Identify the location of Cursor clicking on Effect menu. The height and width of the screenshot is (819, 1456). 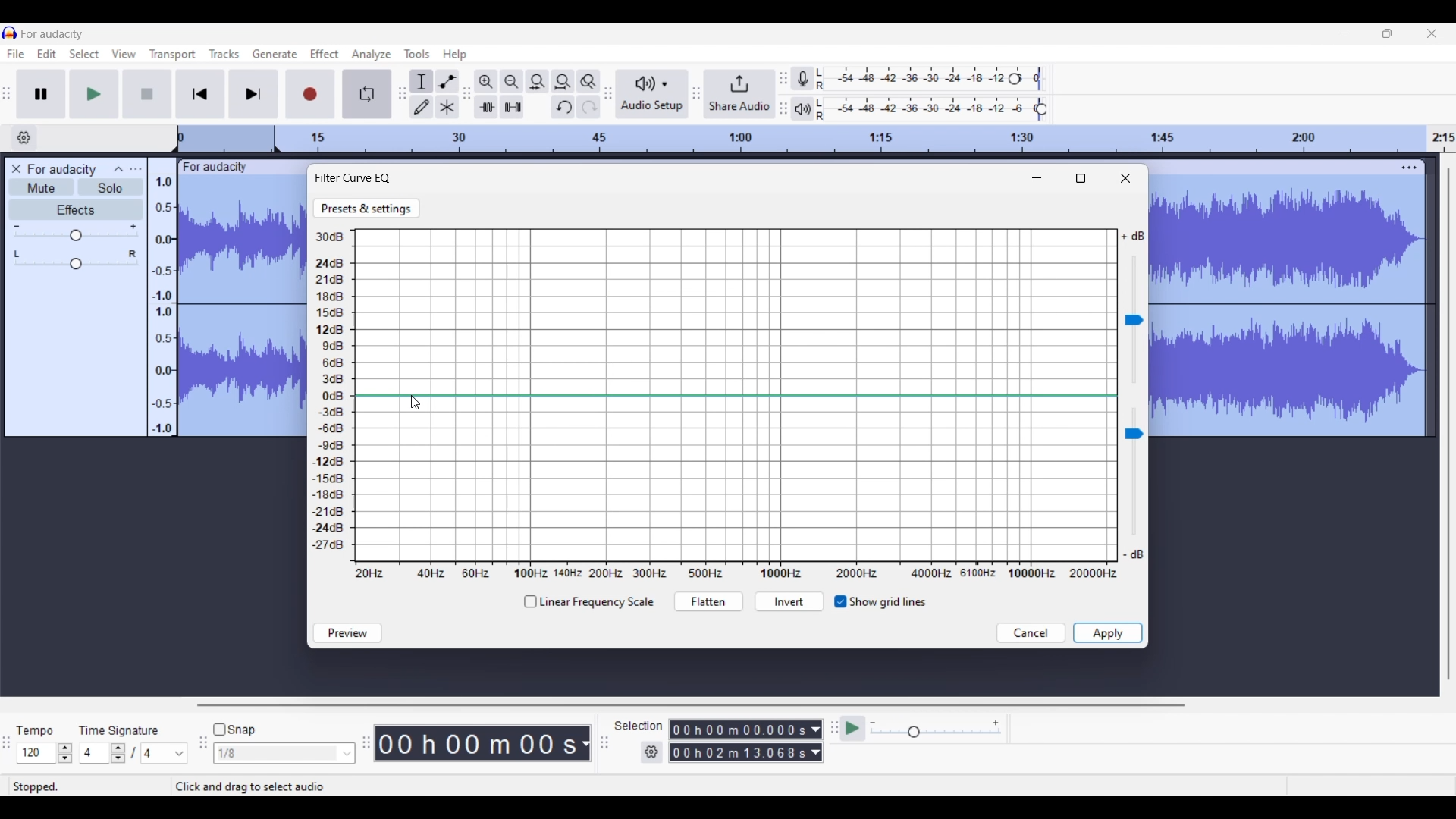
(323, 61).